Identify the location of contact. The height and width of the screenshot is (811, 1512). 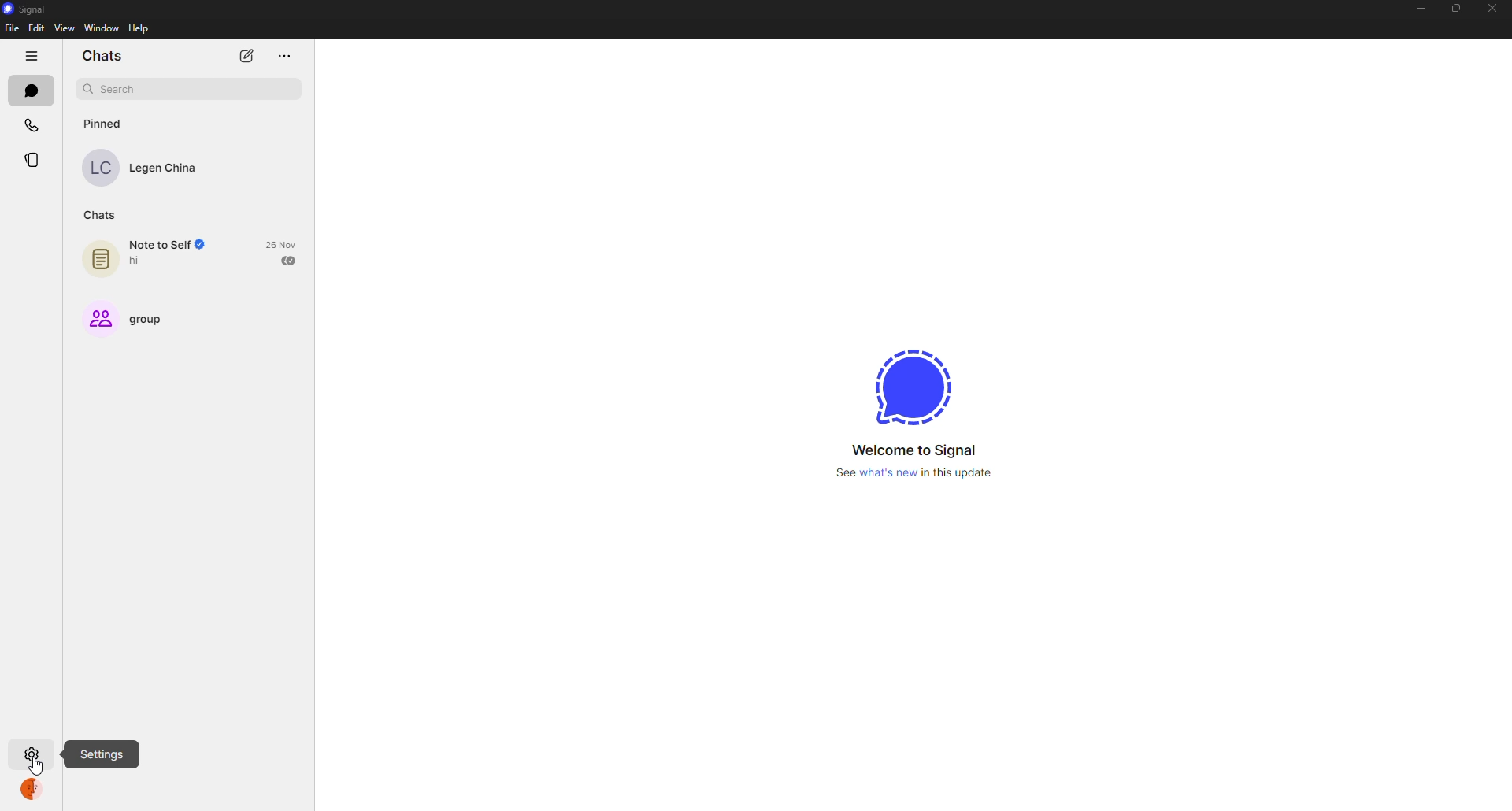
(142, 168).